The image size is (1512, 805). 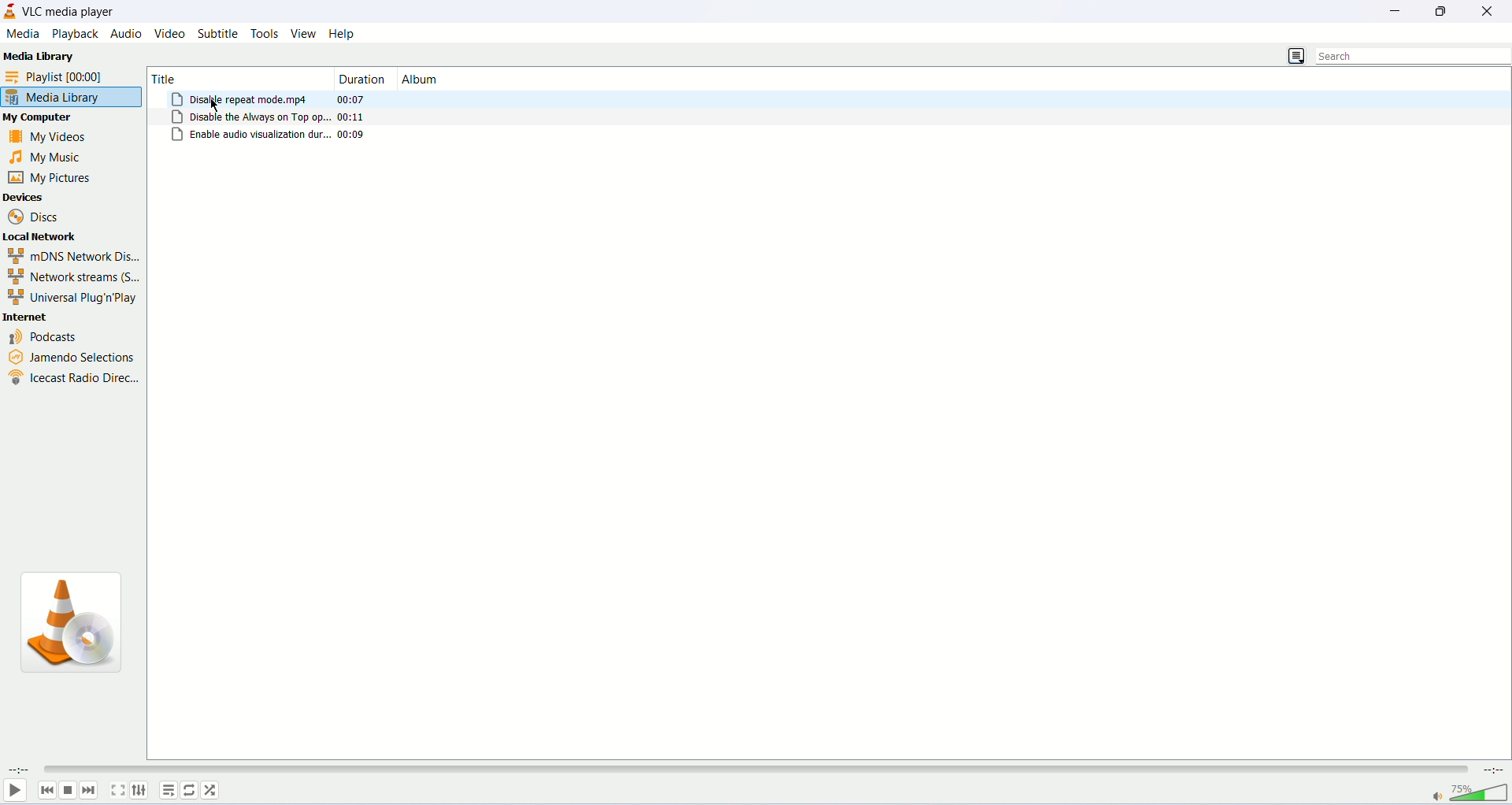 I want to click on Media Library, so click(x=39, y=57).